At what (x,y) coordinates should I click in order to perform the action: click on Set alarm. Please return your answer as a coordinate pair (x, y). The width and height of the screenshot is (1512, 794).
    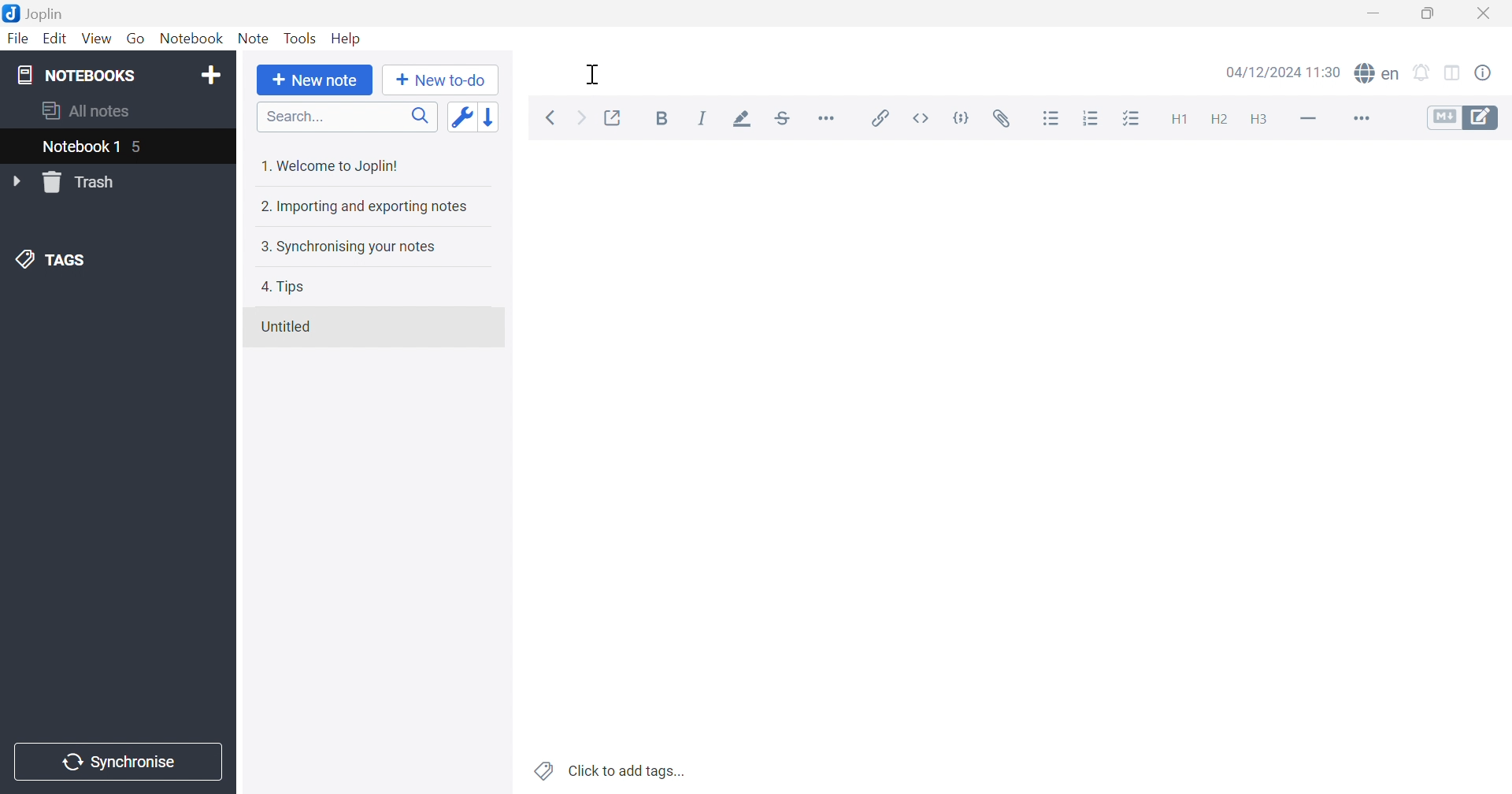
    Looking at the image, I should click on (1425, 74).